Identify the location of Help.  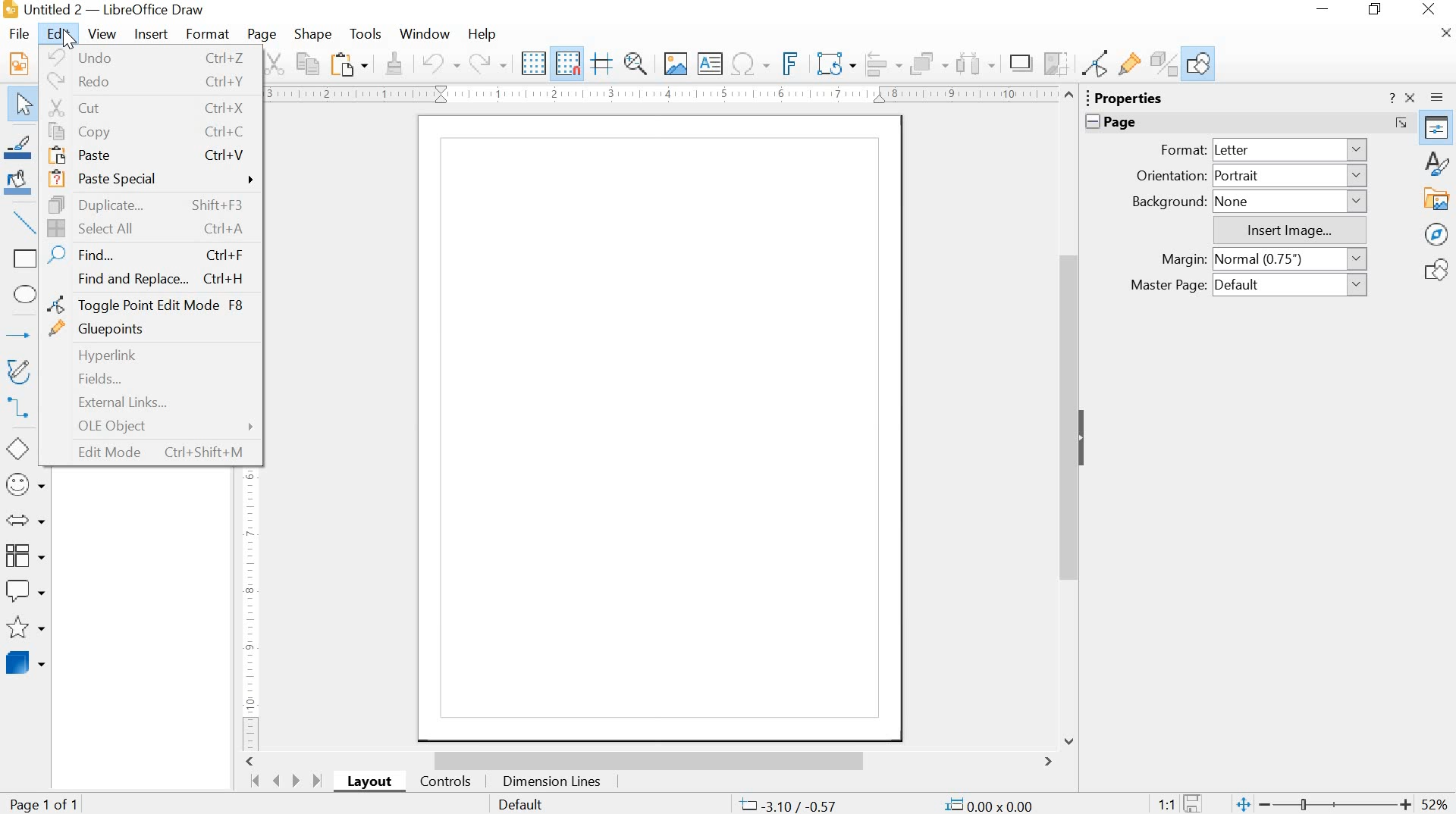
(483, 33).